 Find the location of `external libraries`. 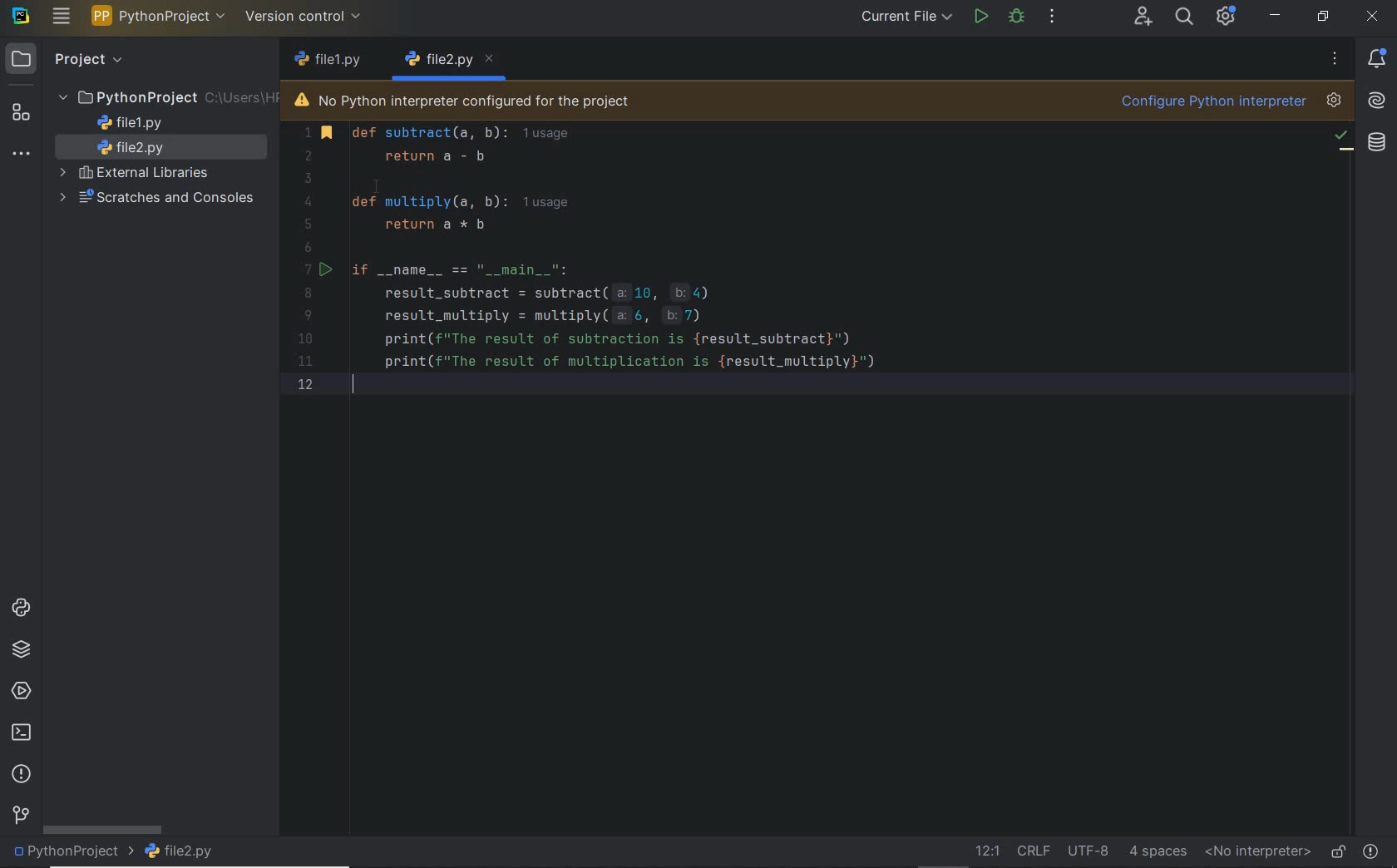

external libraries is located at coordinates (137, 174).